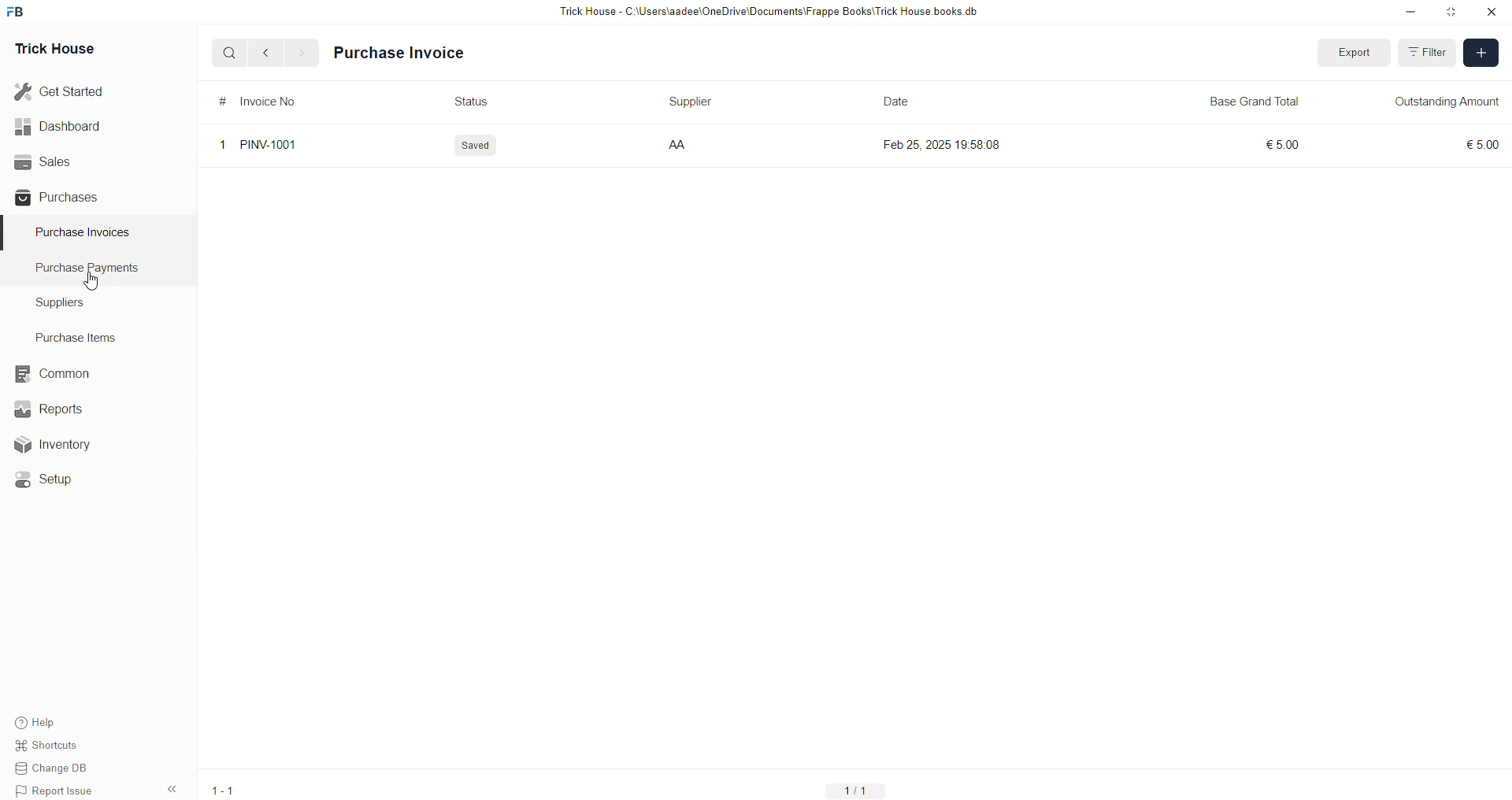 Image resolution: width=1512 pixels, height=800 pixels. I want to click on Q, so click(224, 51).